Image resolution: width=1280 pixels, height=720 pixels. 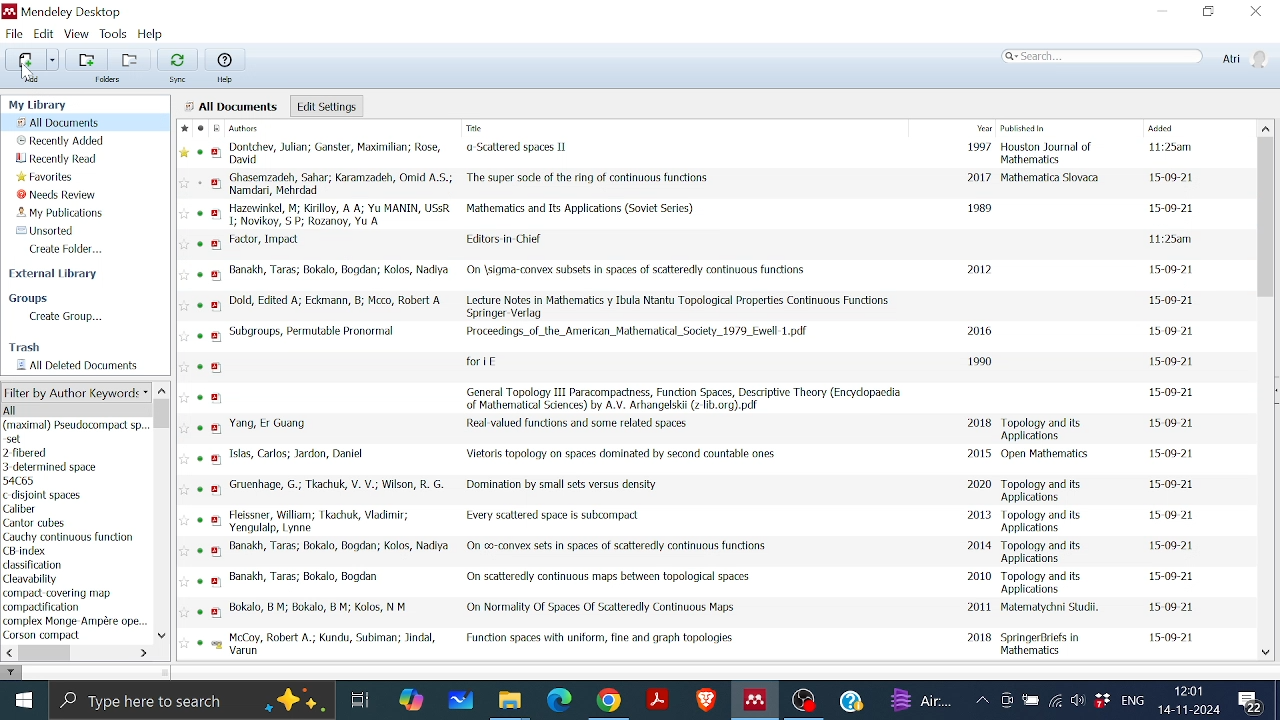 I want to click on Vertical scrollbar, so click(x=1266, y=218).